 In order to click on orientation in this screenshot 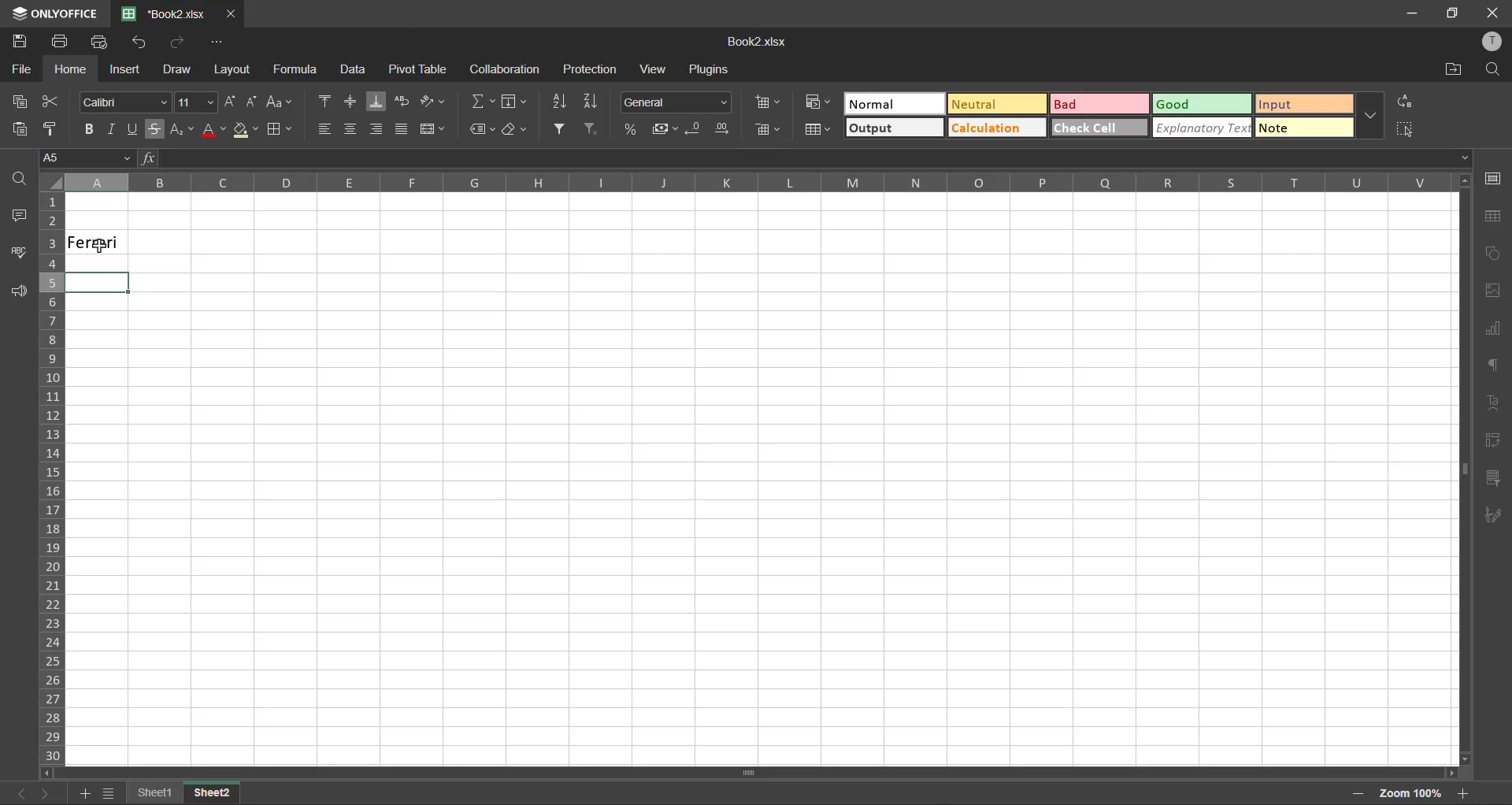, I will do `click(435, 102)`.